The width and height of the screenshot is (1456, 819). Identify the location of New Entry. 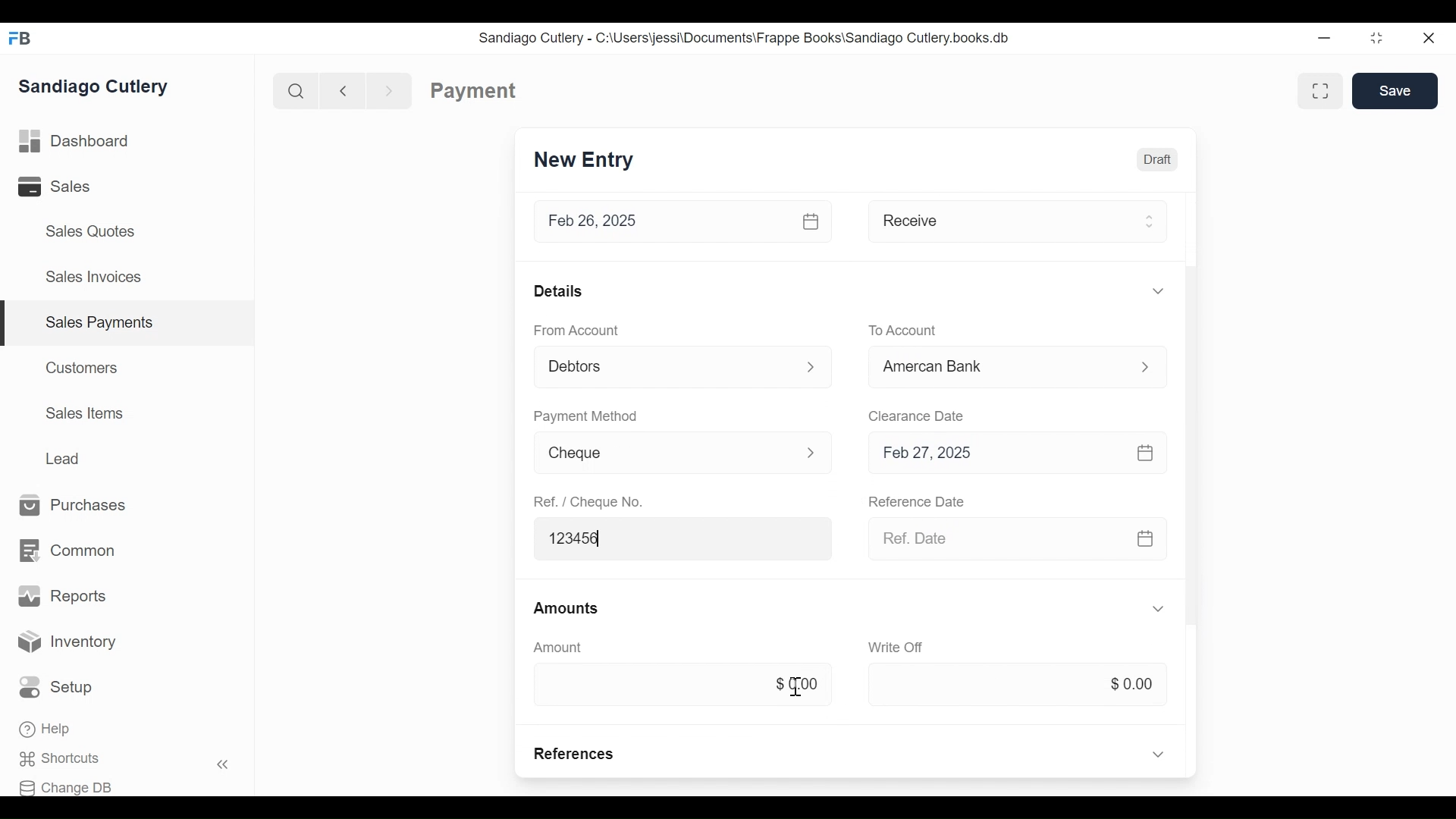
(584, 161).